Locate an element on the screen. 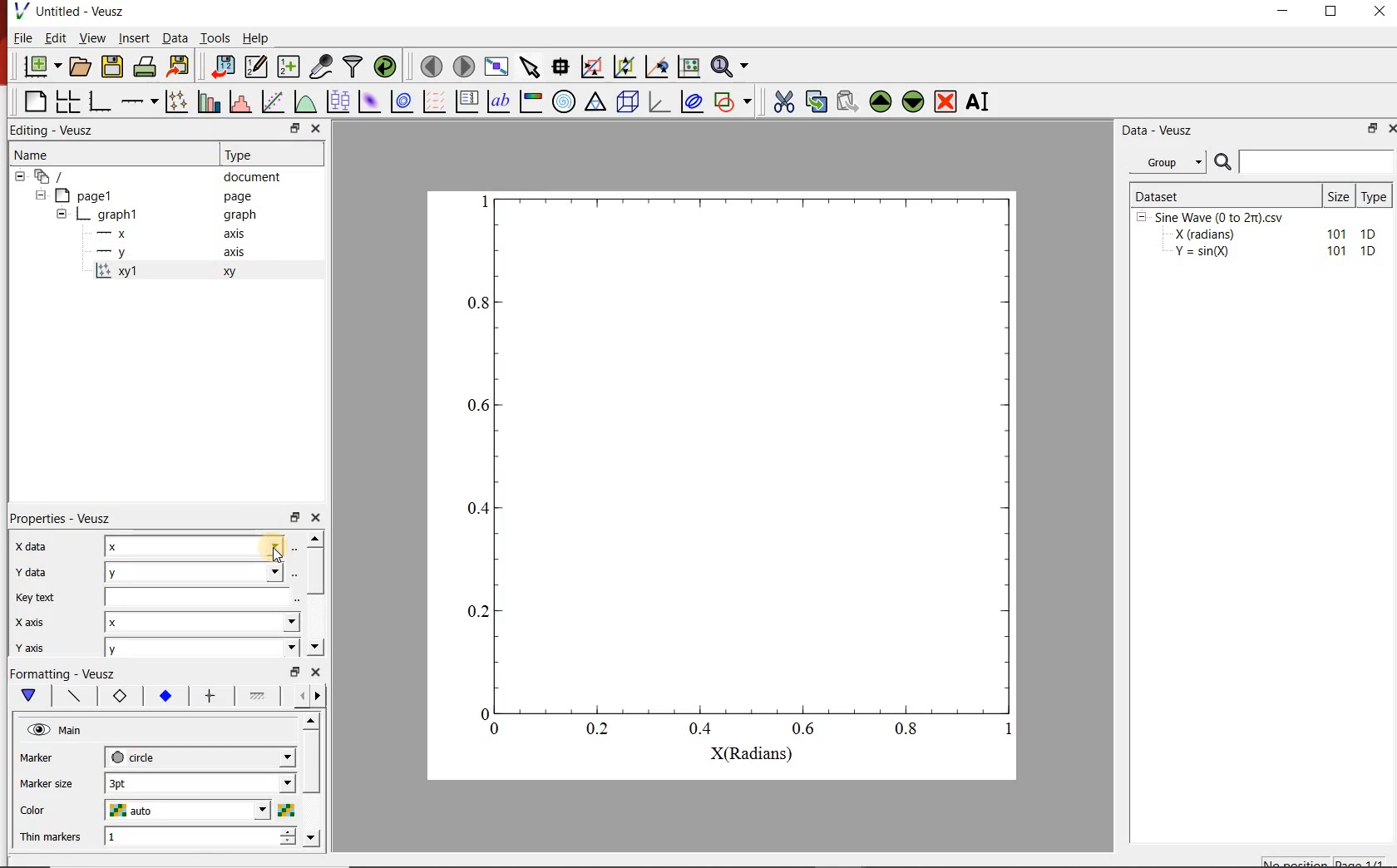  import data into veusz is located at coordinates (221, 66).